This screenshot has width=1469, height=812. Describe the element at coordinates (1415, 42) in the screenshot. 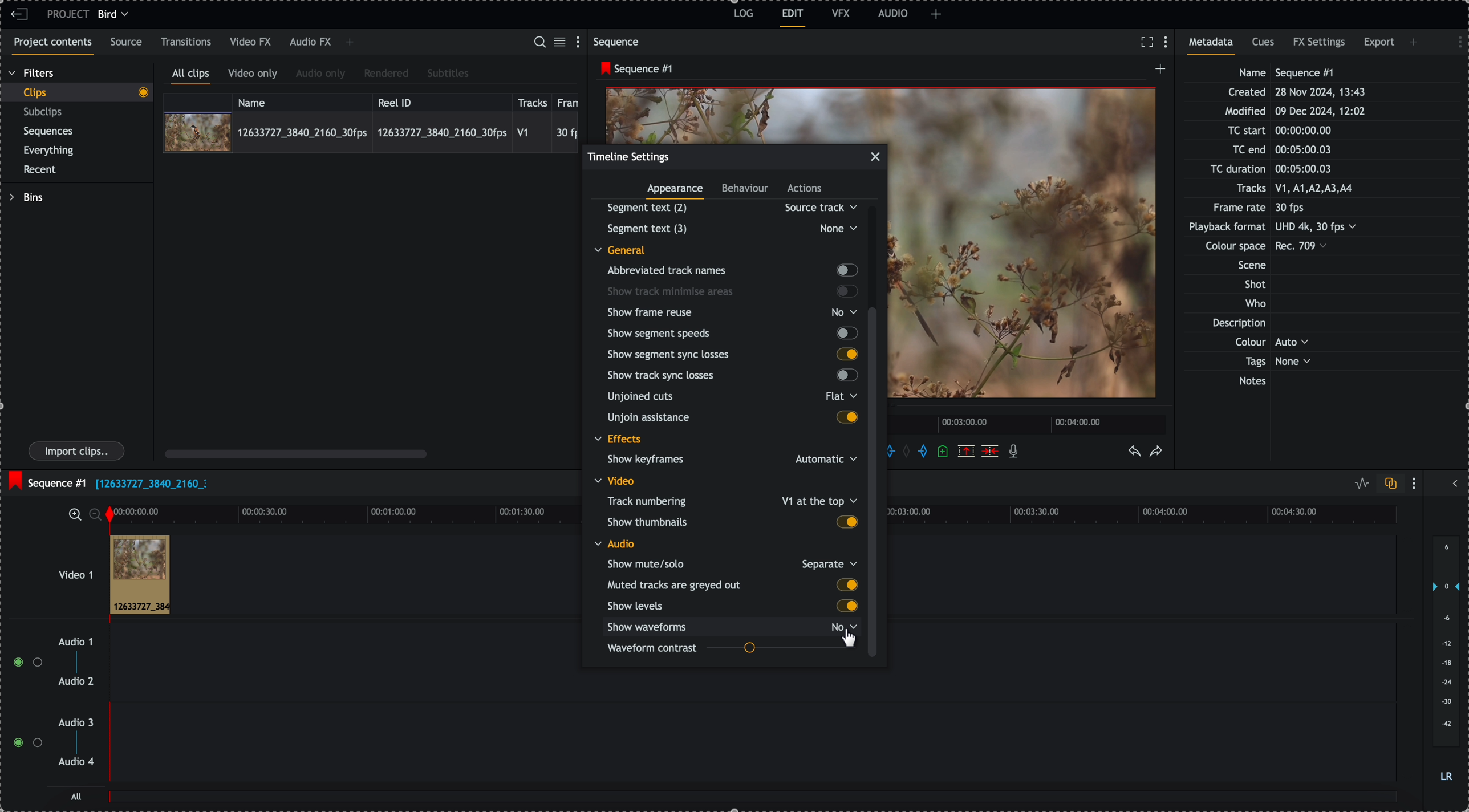

I see `add panel` at that location.